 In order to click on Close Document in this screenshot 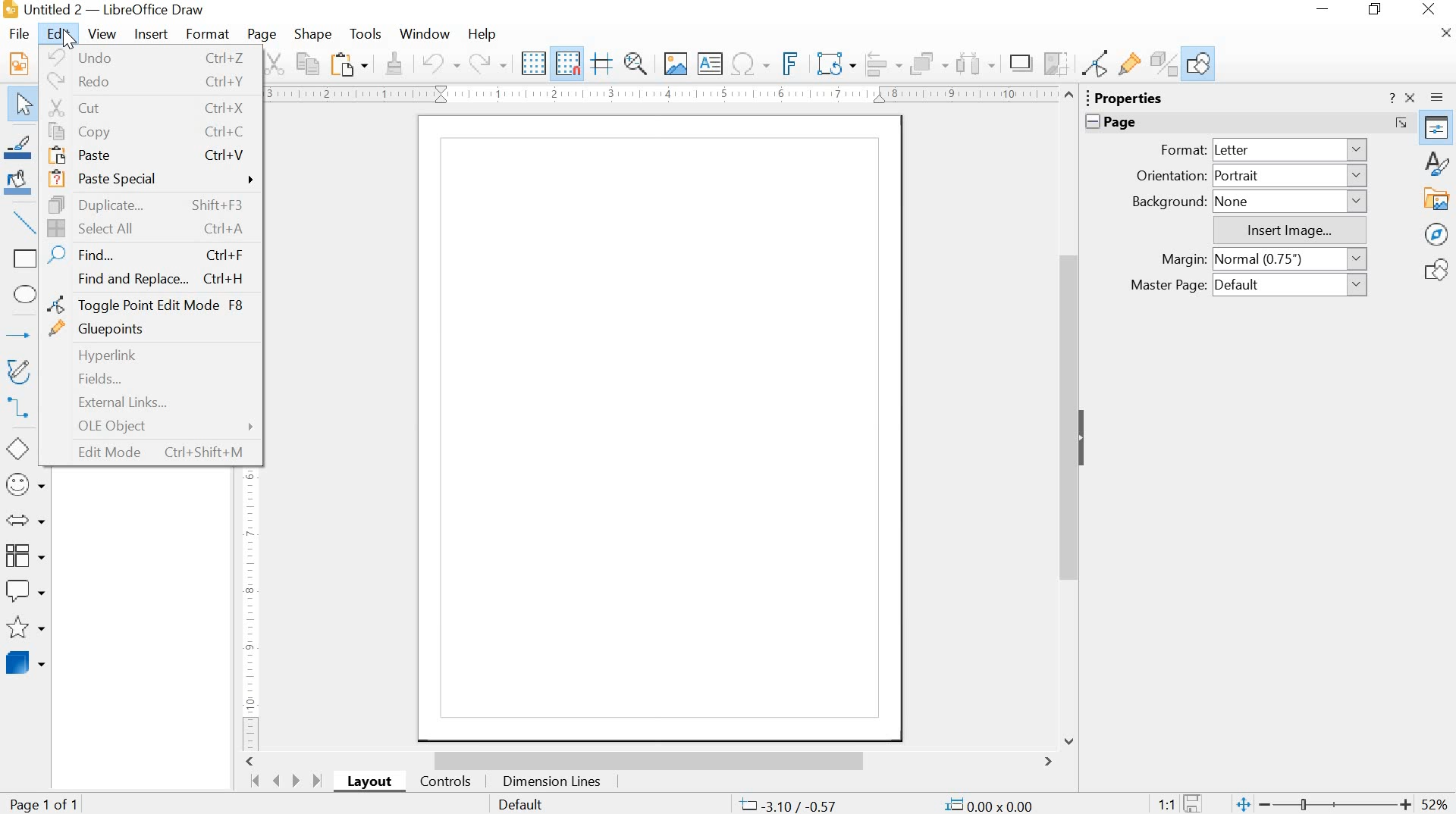, I will do `click(1446, 33)`.